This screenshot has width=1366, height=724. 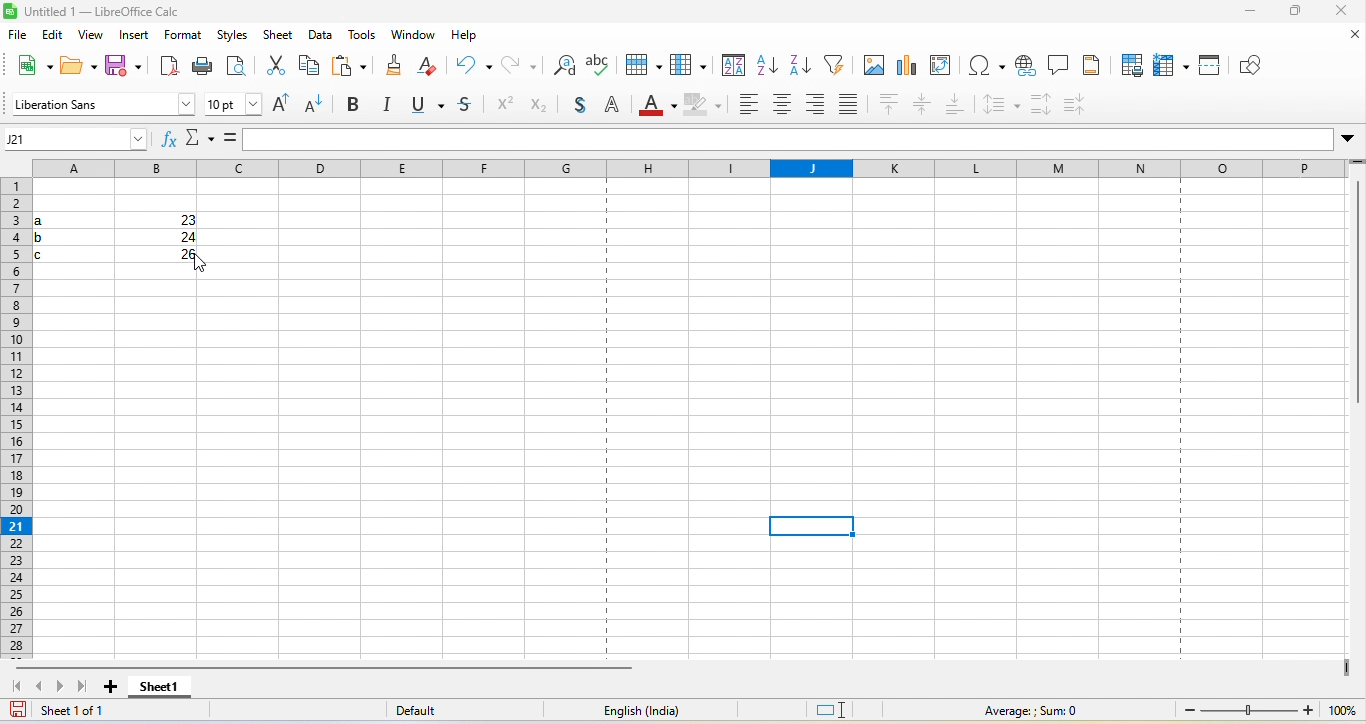 What do you see at coordinates (182, 237) in the screenshot?
I see `24` at bounding box center [182, 237].